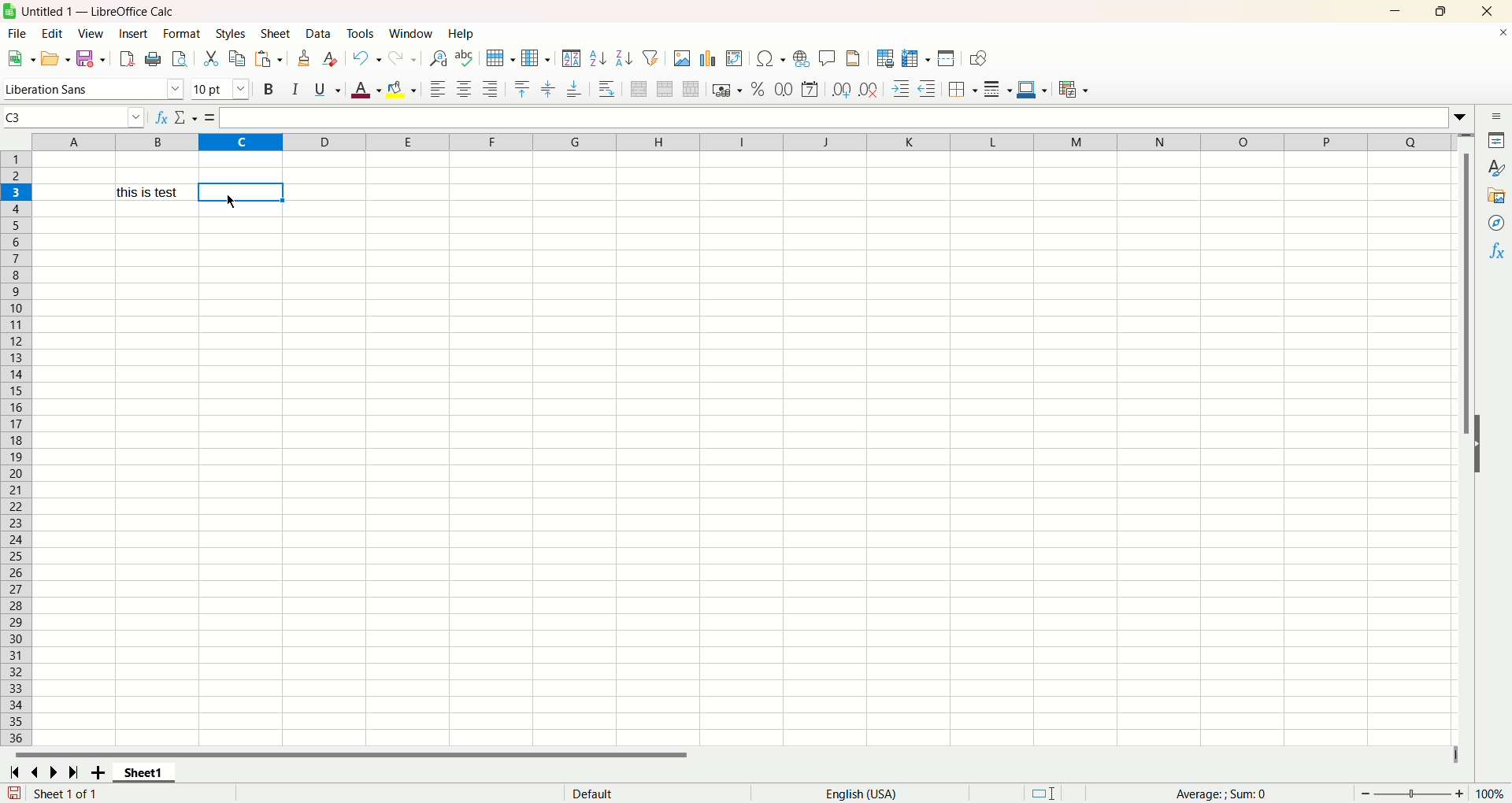  Describe the element at coordinates (547, 89) in the screenshot. I see `center vertically` at that location.